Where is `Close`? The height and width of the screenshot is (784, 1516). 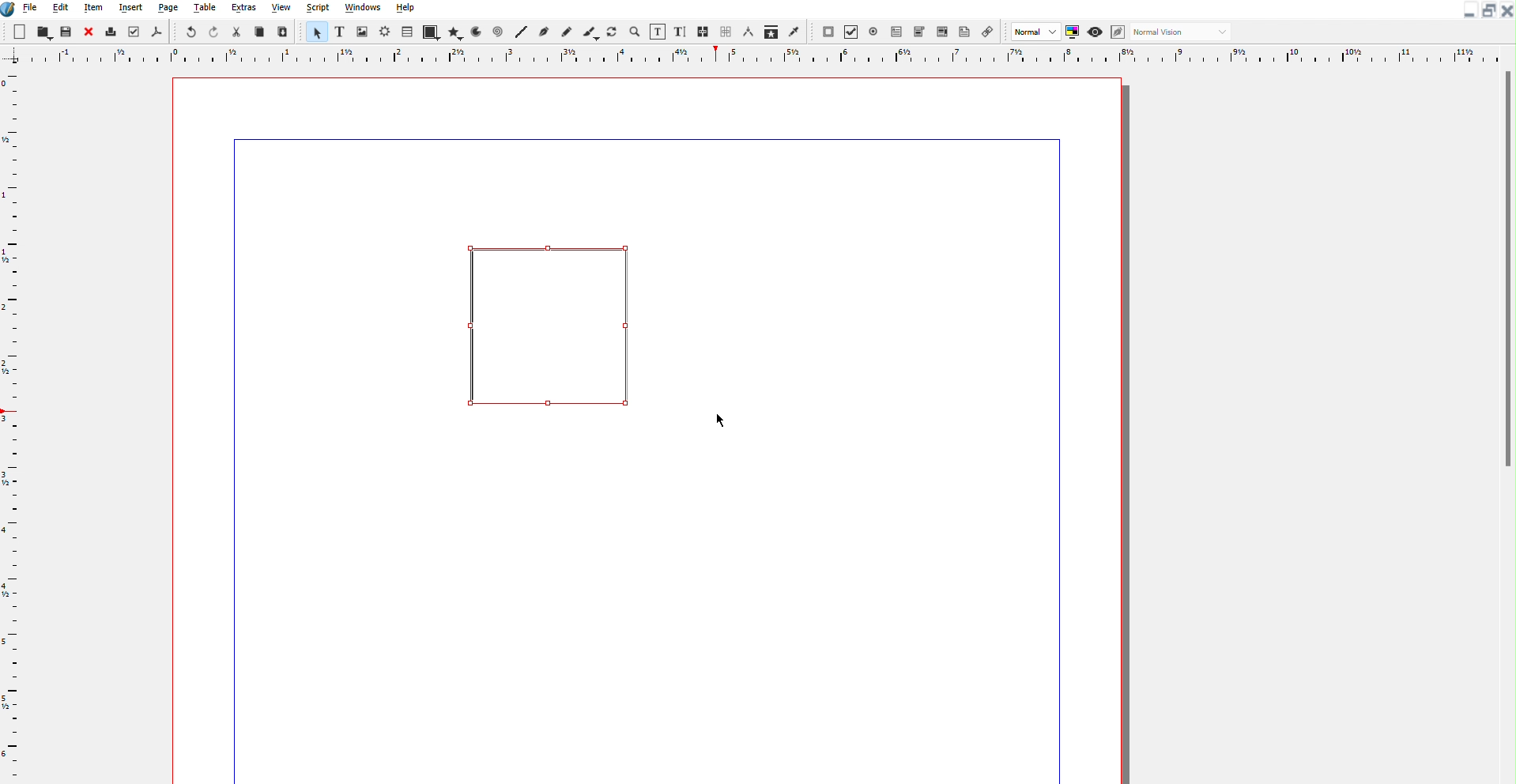
Close is located at coordinates (1506, 10).